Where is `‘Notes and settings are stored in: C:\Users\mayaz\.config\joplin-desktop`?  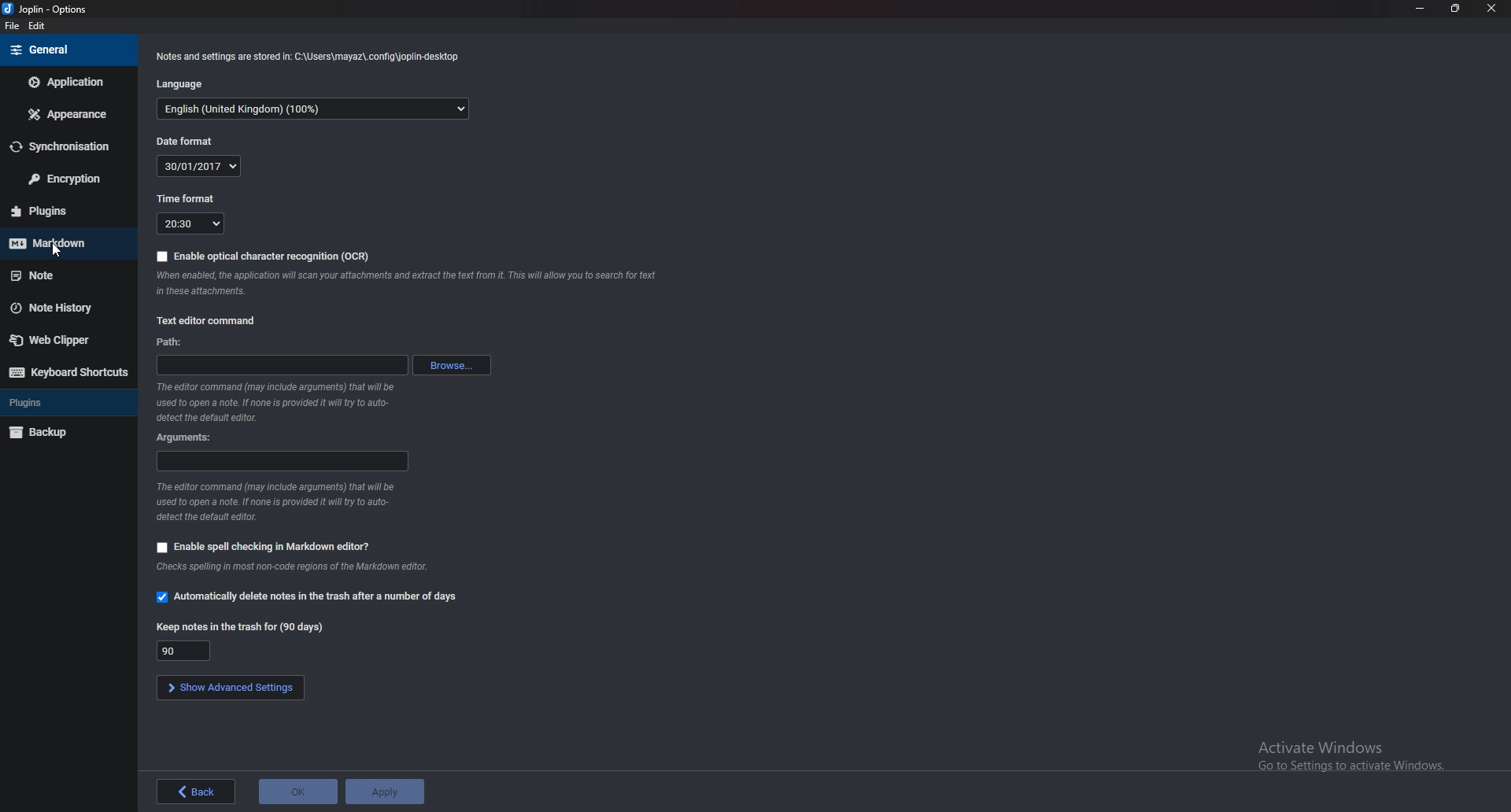 ‘Notes and settings are stored in: C:\Users\mayaz\.config\joplin-desktop is located at coordinates (310, 57).